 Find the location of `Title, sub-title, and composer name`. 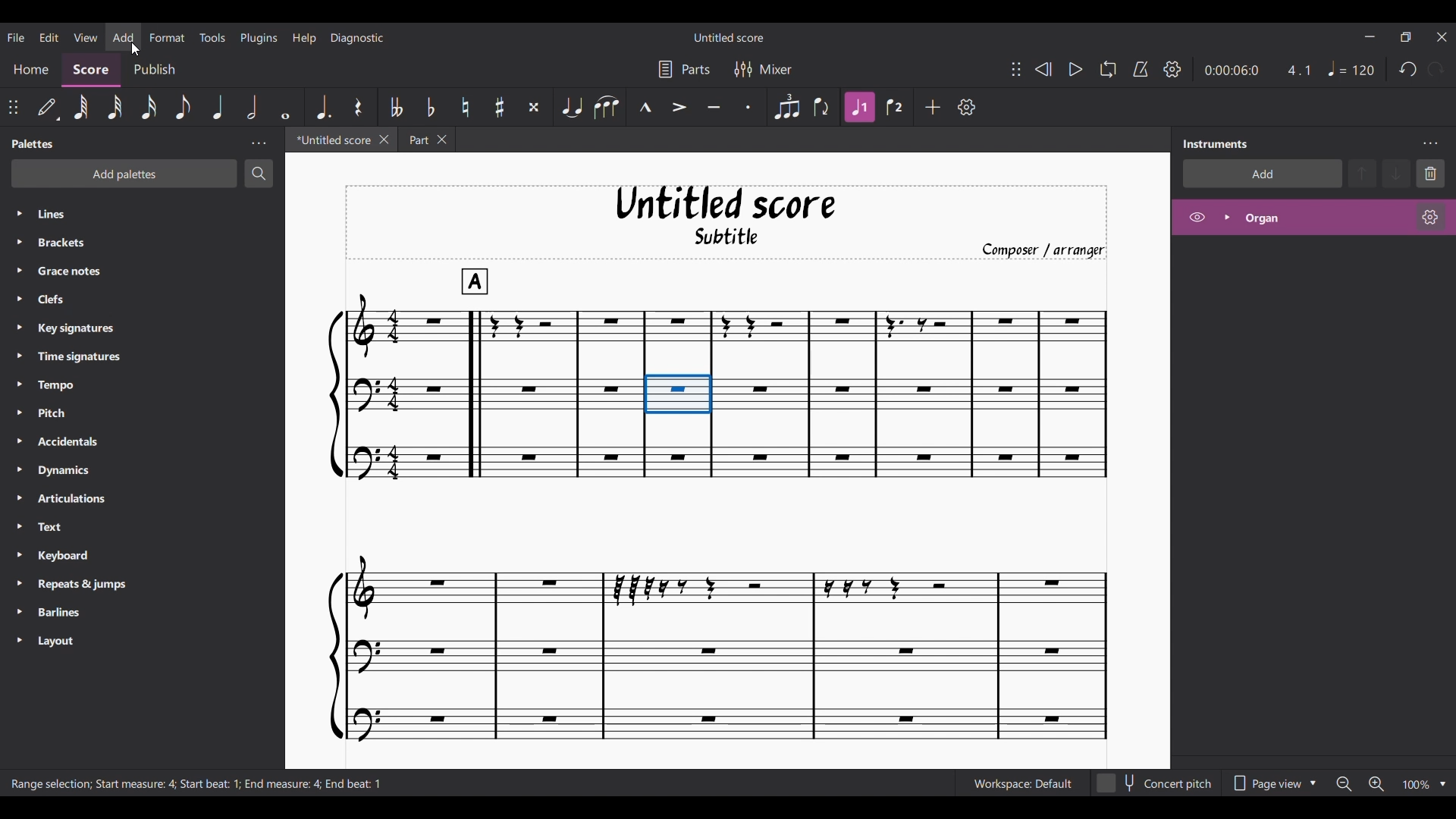

Title, sub-title, and composer name is located at coordinates (727, 222).